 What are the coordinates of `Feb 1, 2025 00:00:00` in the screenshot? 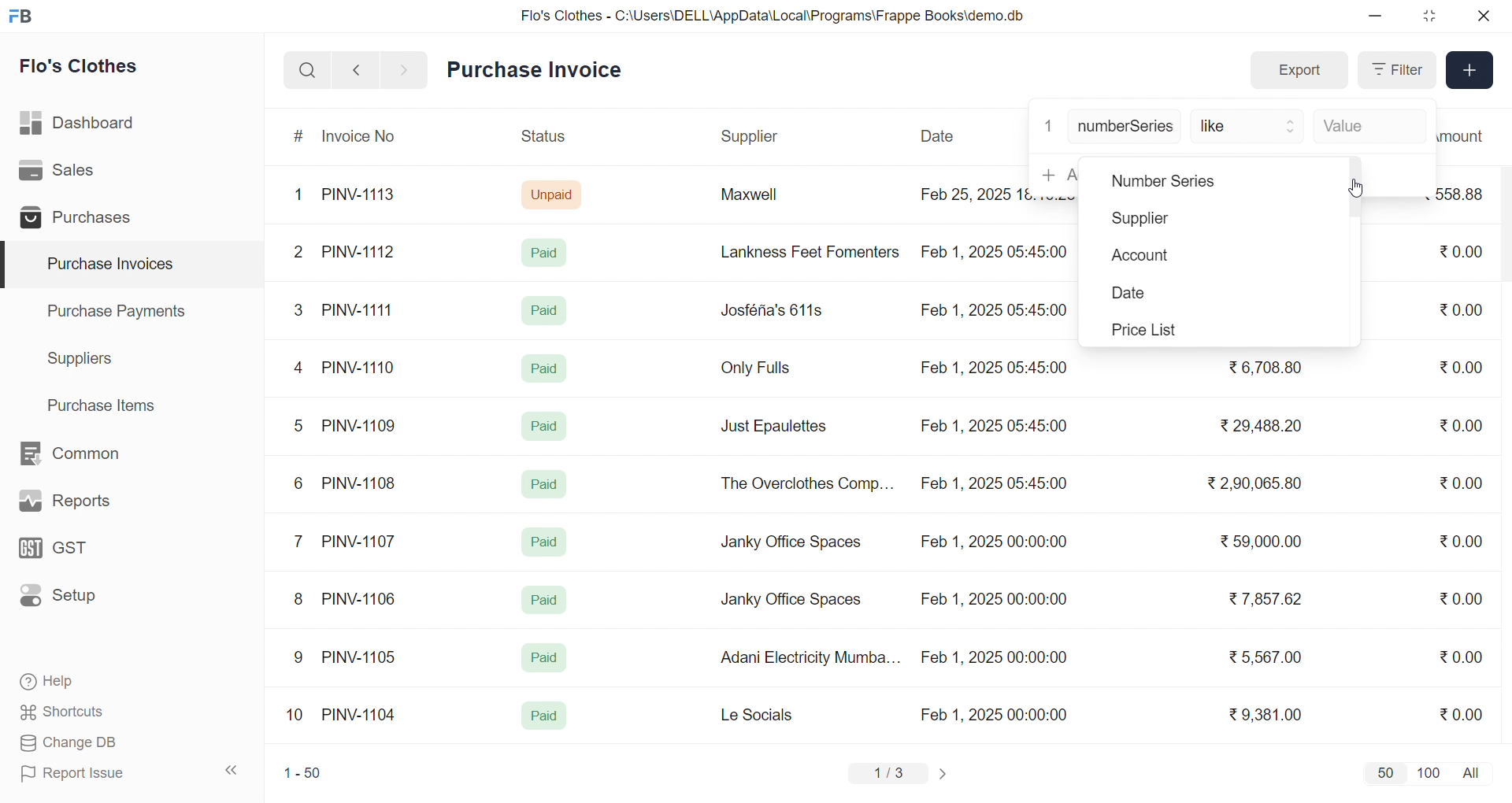 It's located at (994, 657).